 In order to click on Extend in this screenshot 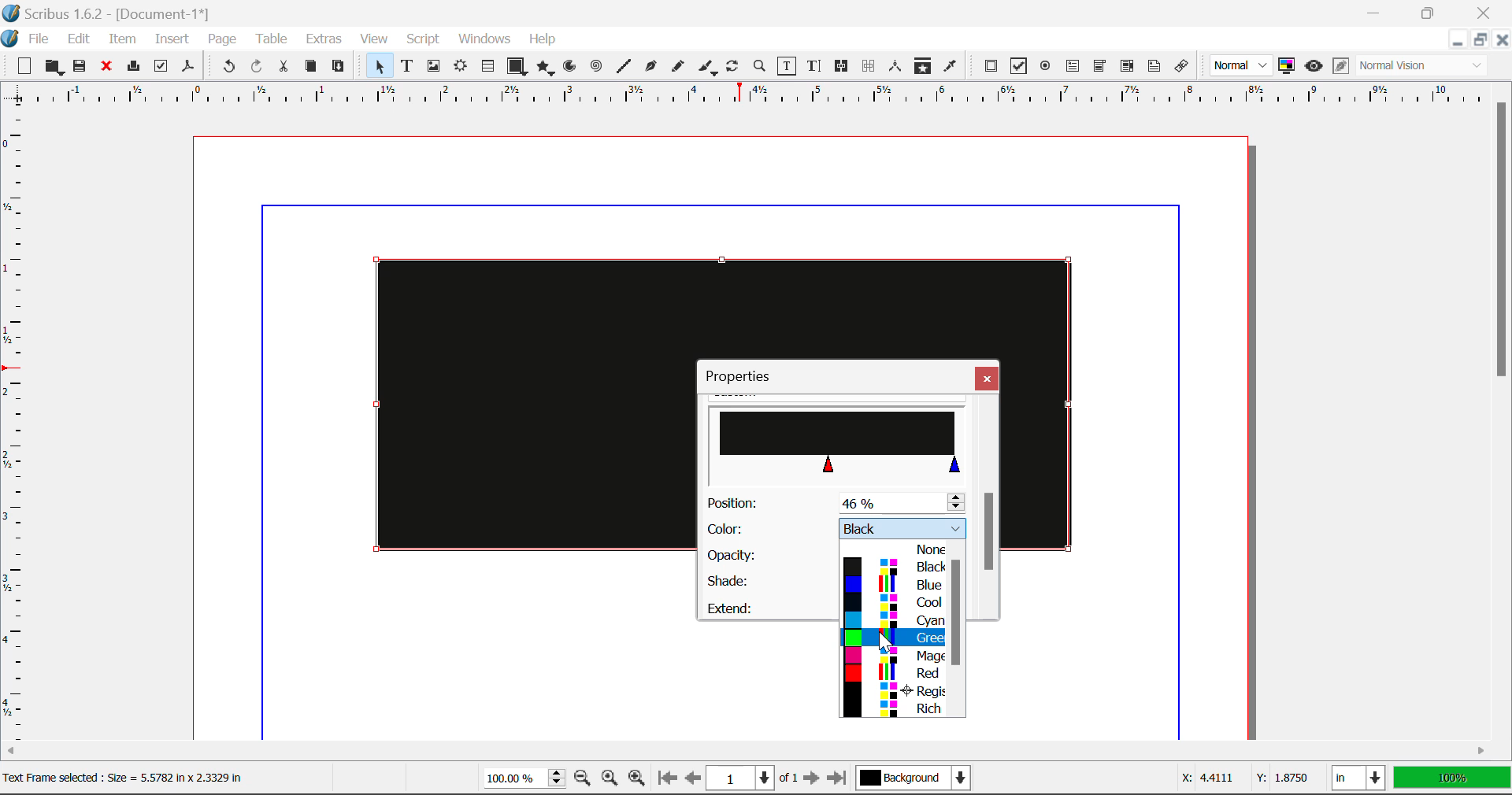, I will do `click(766, 606)`.